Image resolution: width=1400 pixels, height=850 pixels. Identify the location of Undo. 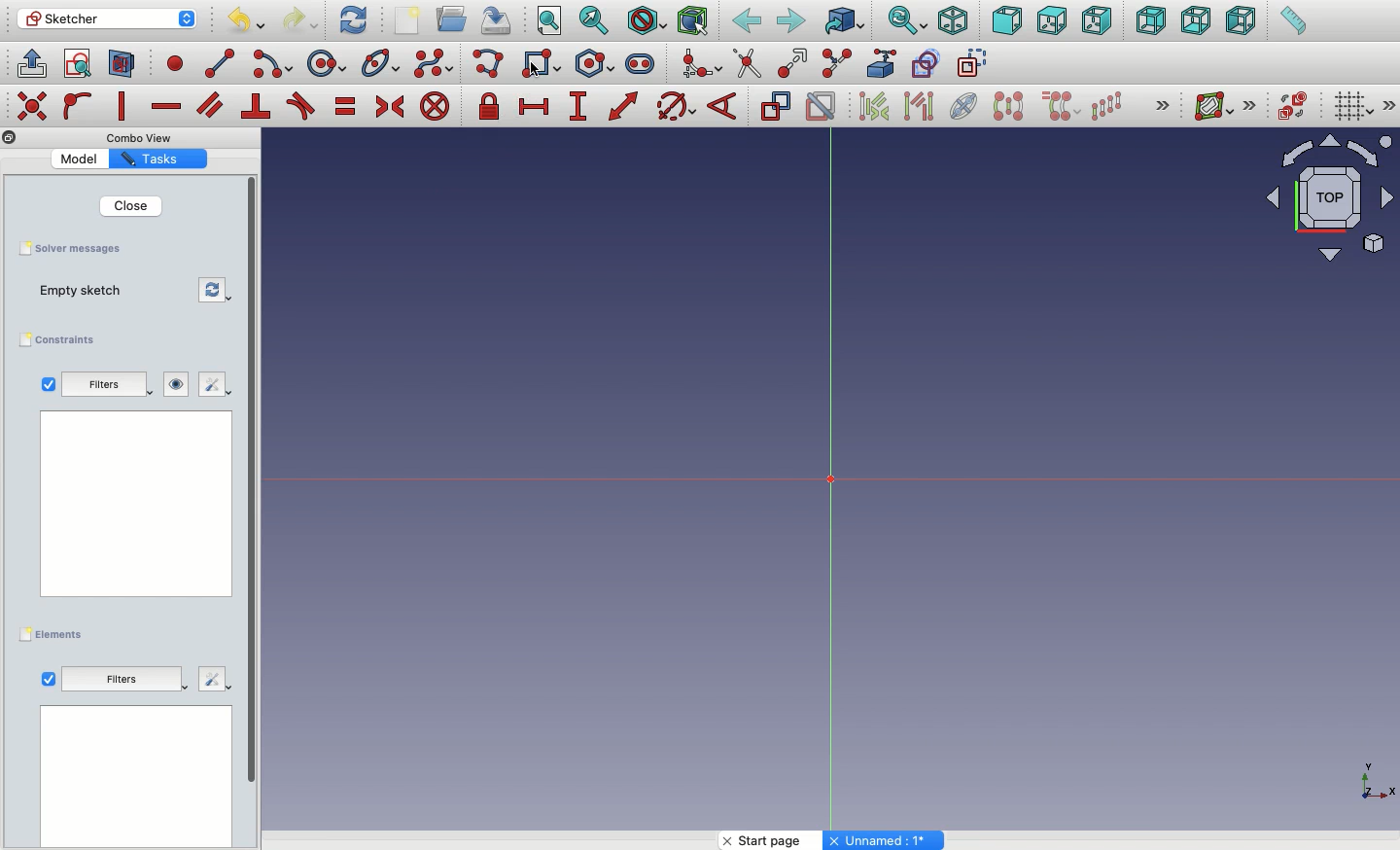
(249, 23).